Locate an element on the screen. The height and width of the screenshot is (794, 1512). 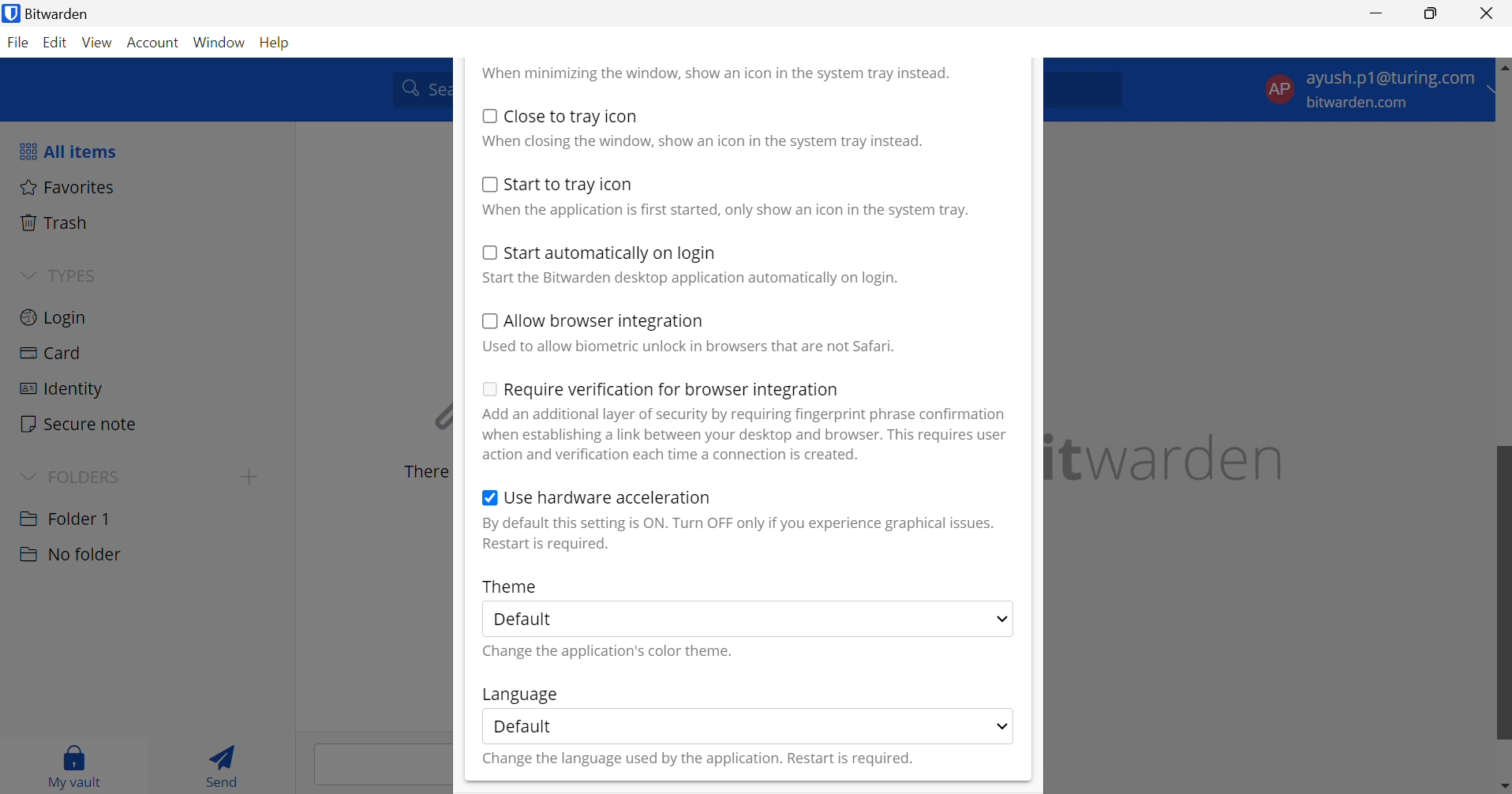
Help is located at coordinates (278, 41).